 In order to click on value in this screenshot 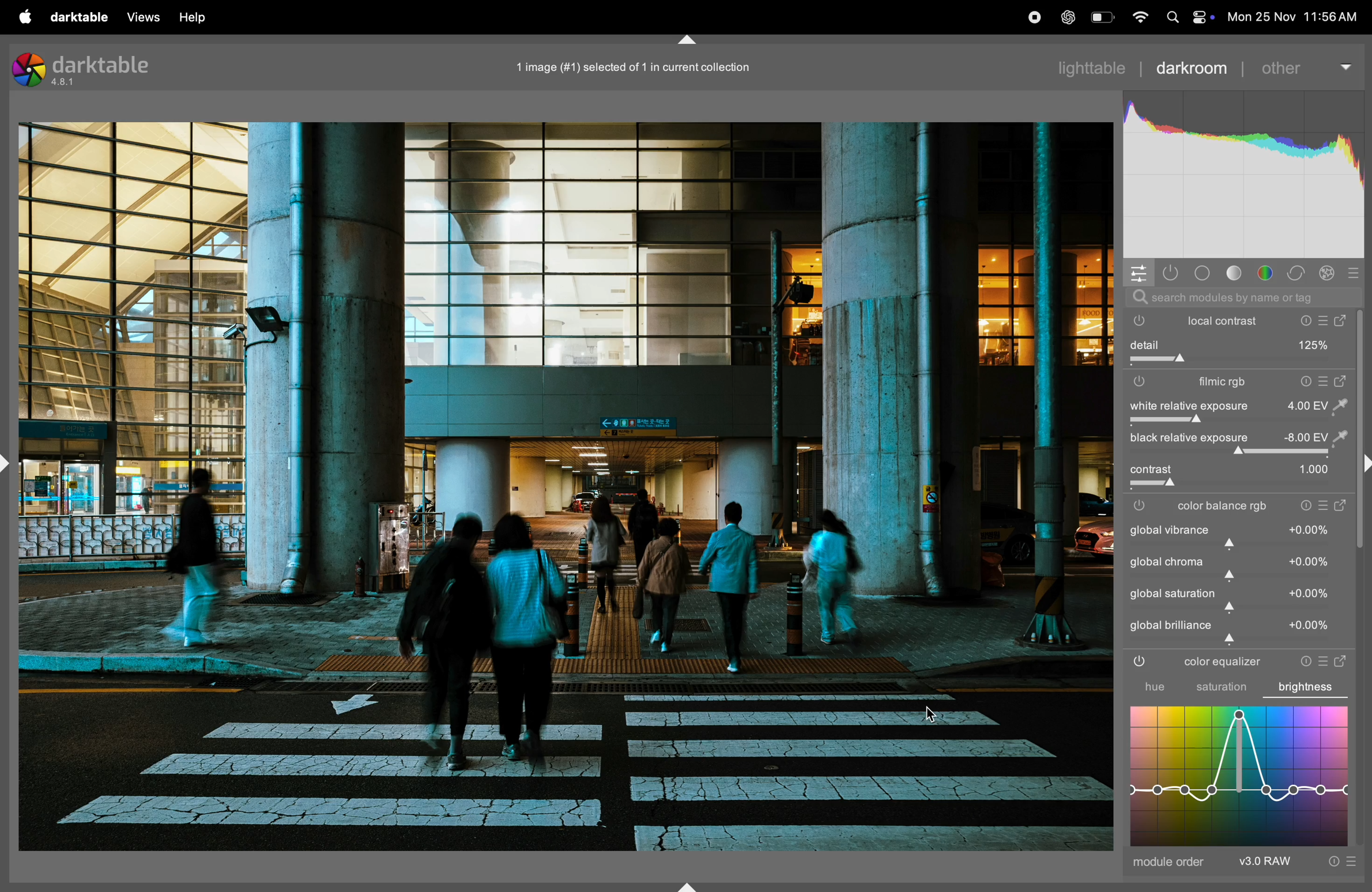, I will do `click(1316, 437)`.